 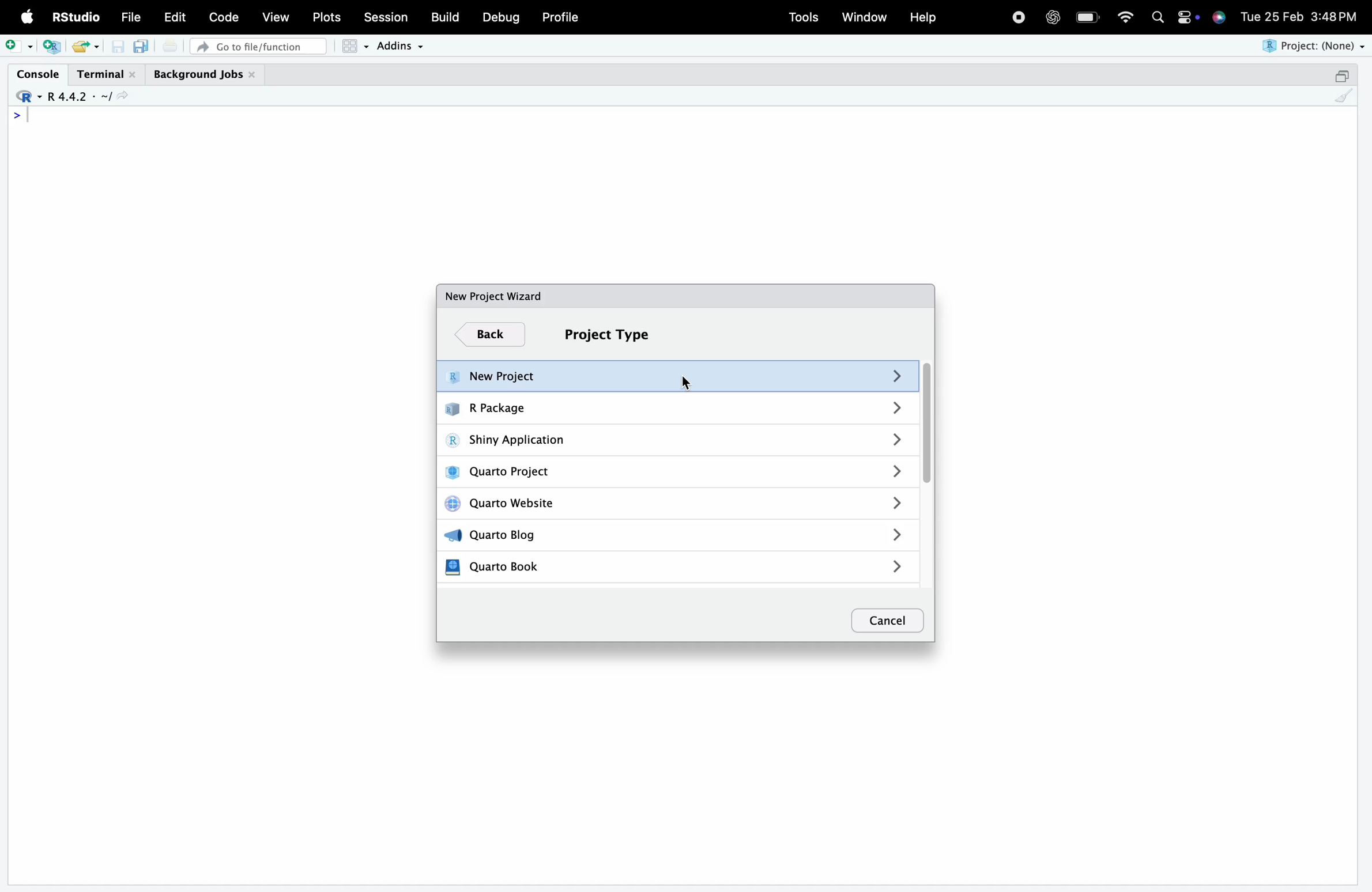 What do you see at coordinates (1158, 17) in the screenshot?
I see `search` at bounding box center [1158, 17].